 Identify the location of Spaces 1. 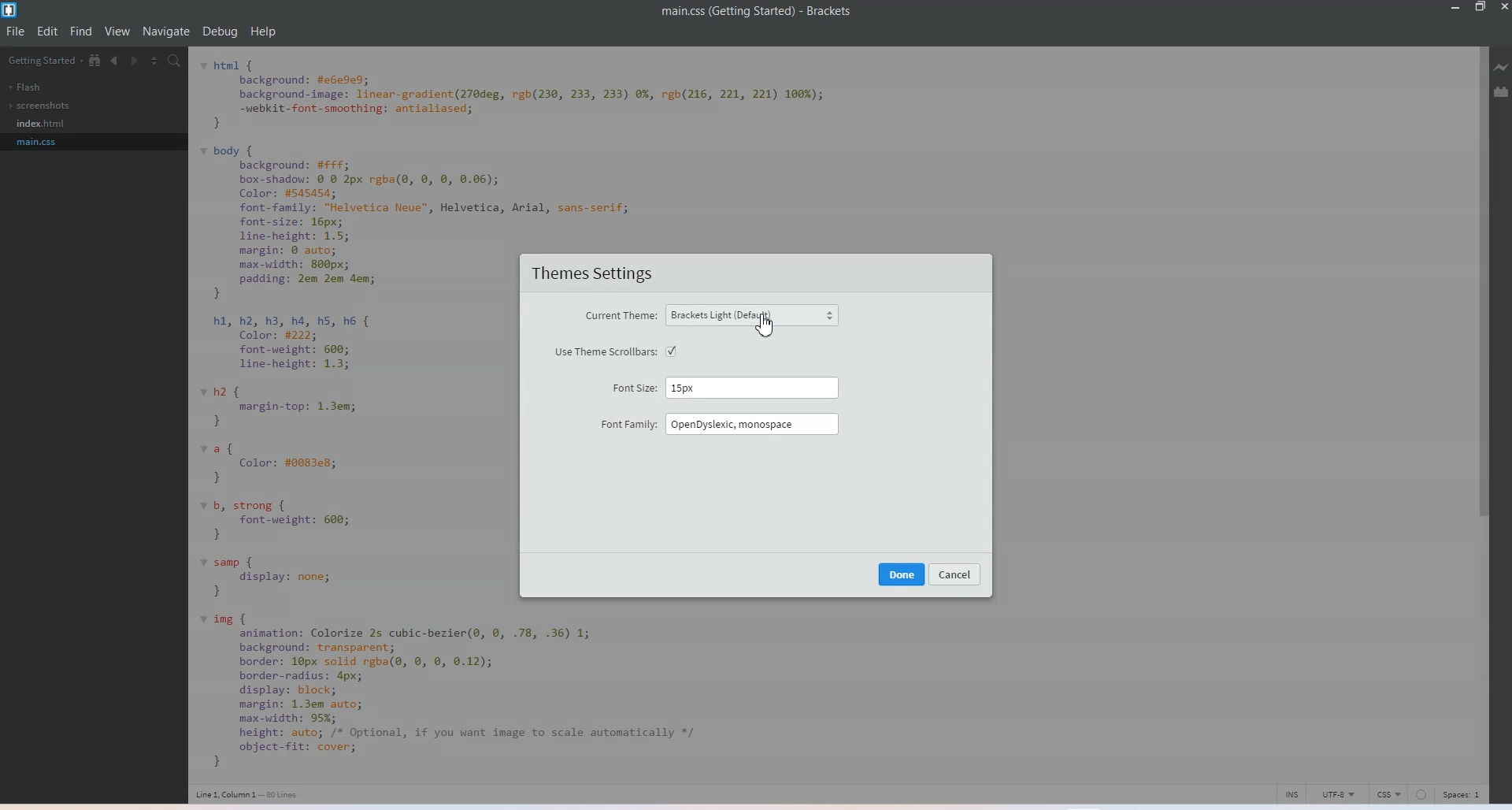
(1463, 794).